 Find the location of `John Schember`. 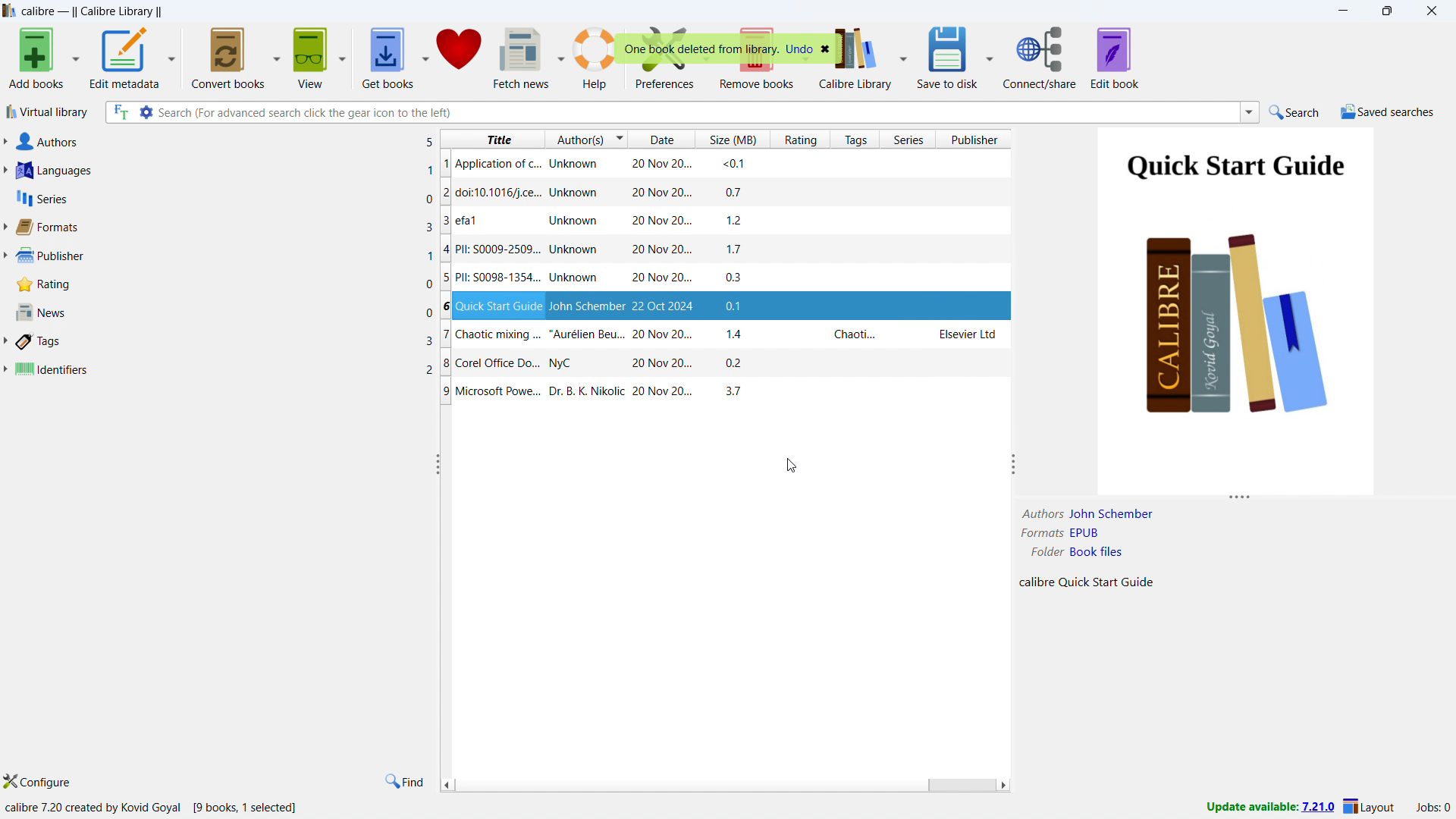

John Schember is located at coordinates (1111, 511).